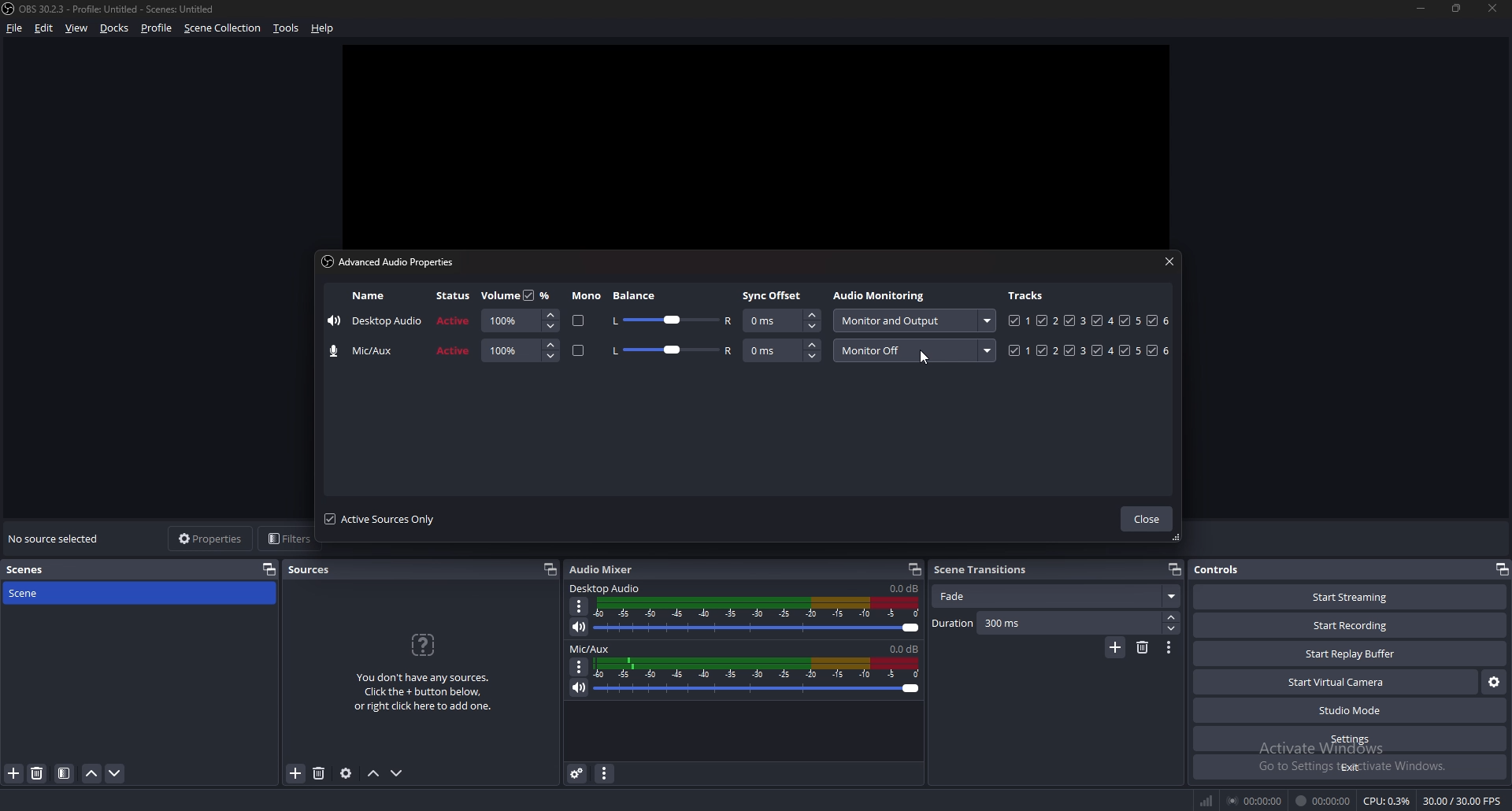 The image size is (1512, 811). Describe the element at coordinates (1388, 802) in the screenshot. I see `CPU: 0.3%` at that location.